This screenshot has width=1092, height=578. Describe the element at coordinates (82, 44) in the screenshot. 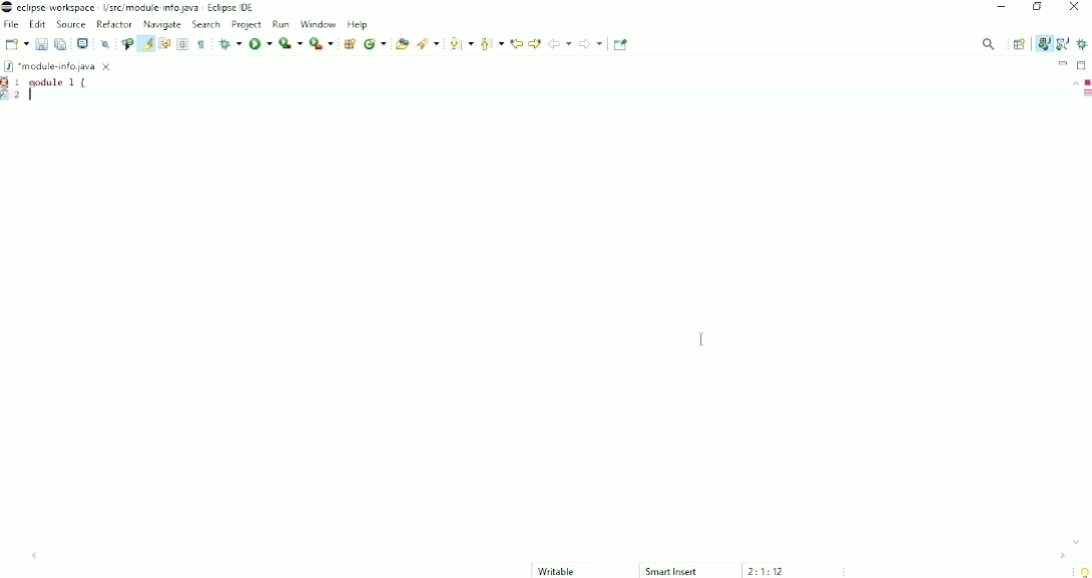

I see `Open a terminal` at that location.